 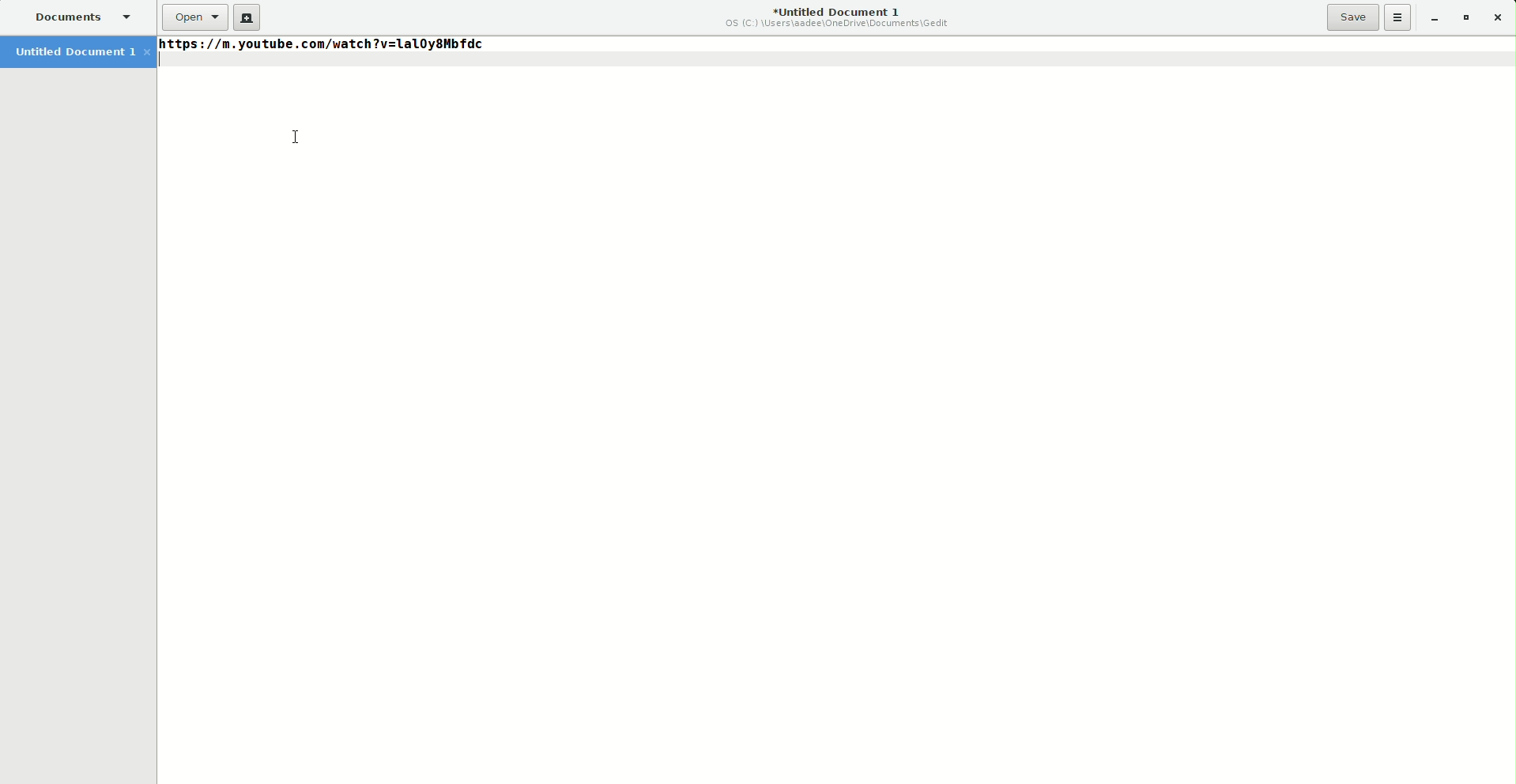 I want to click on Open, so click(x=194, y=17).